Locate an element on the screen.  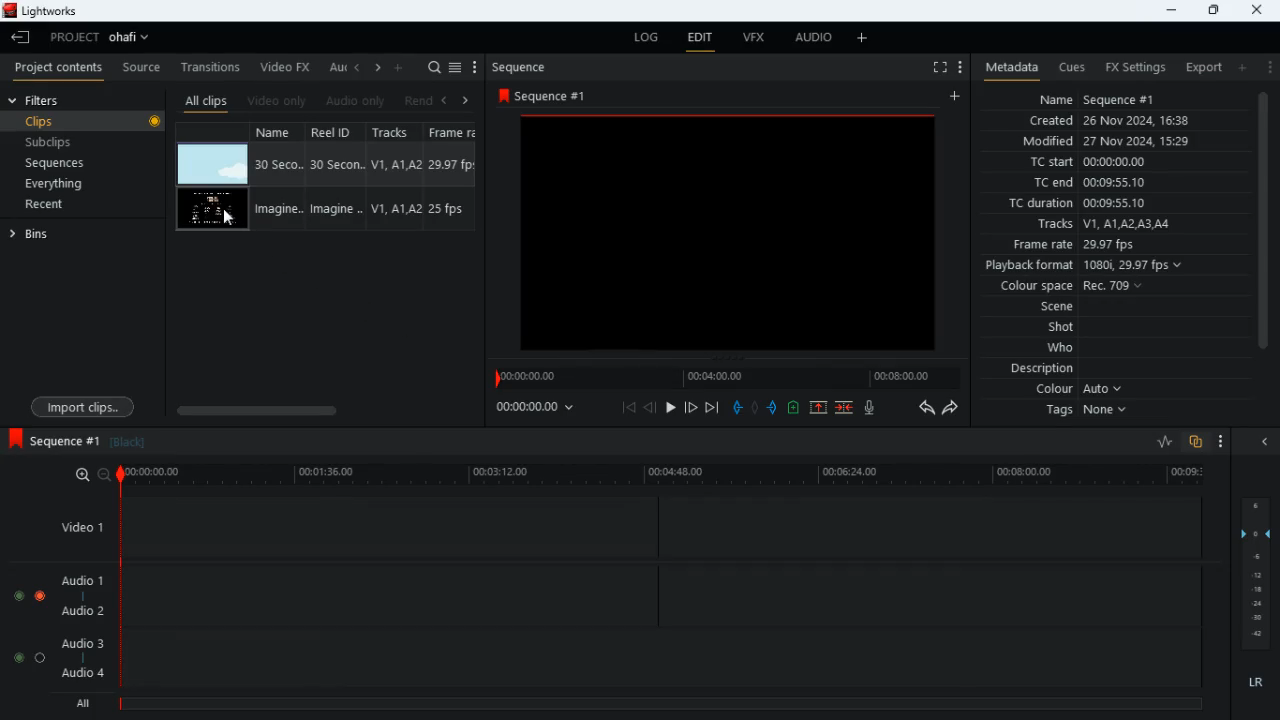
audio 1 is located at coordinates (78, 581).